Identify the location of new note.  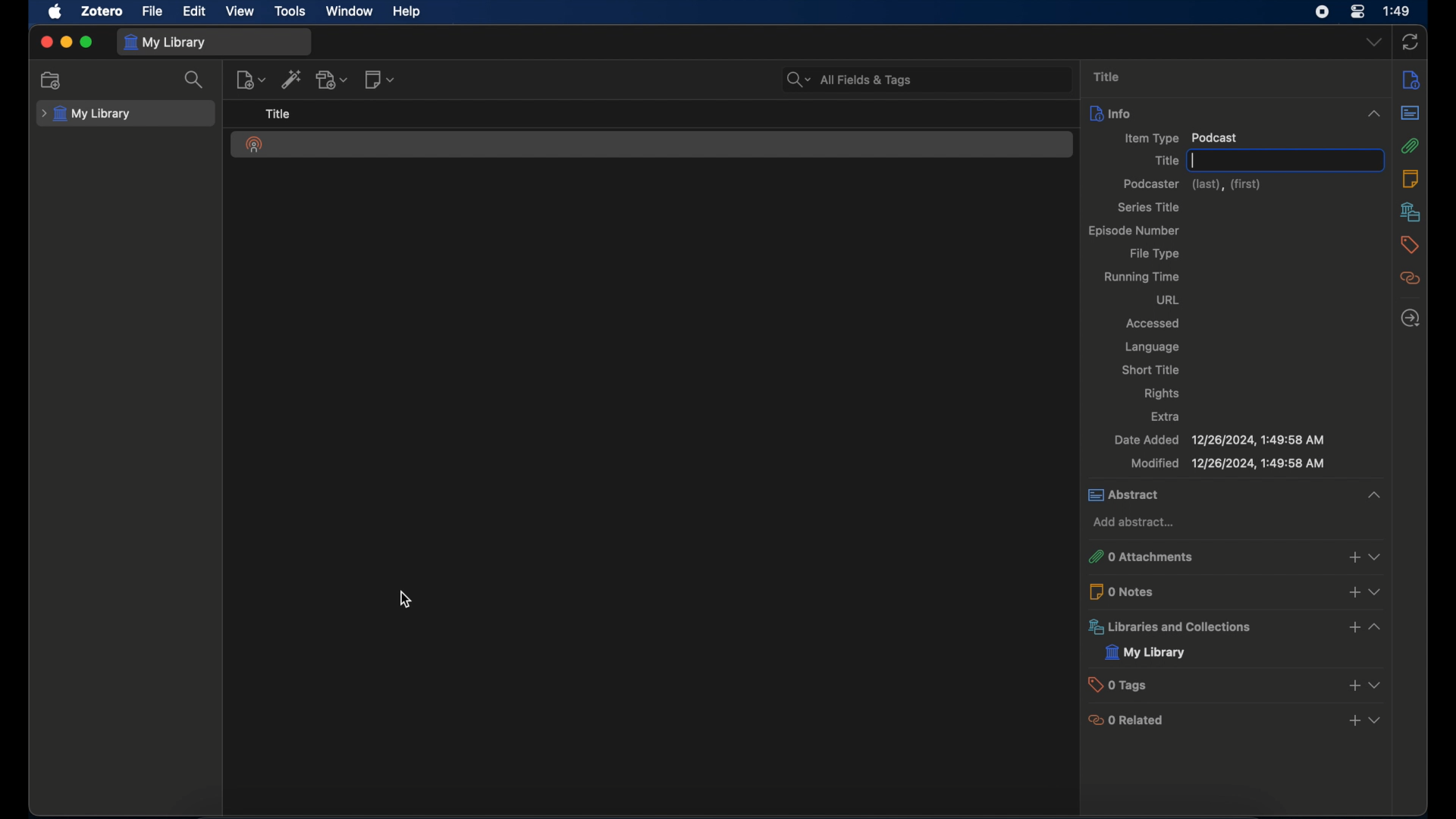
(379, 80).